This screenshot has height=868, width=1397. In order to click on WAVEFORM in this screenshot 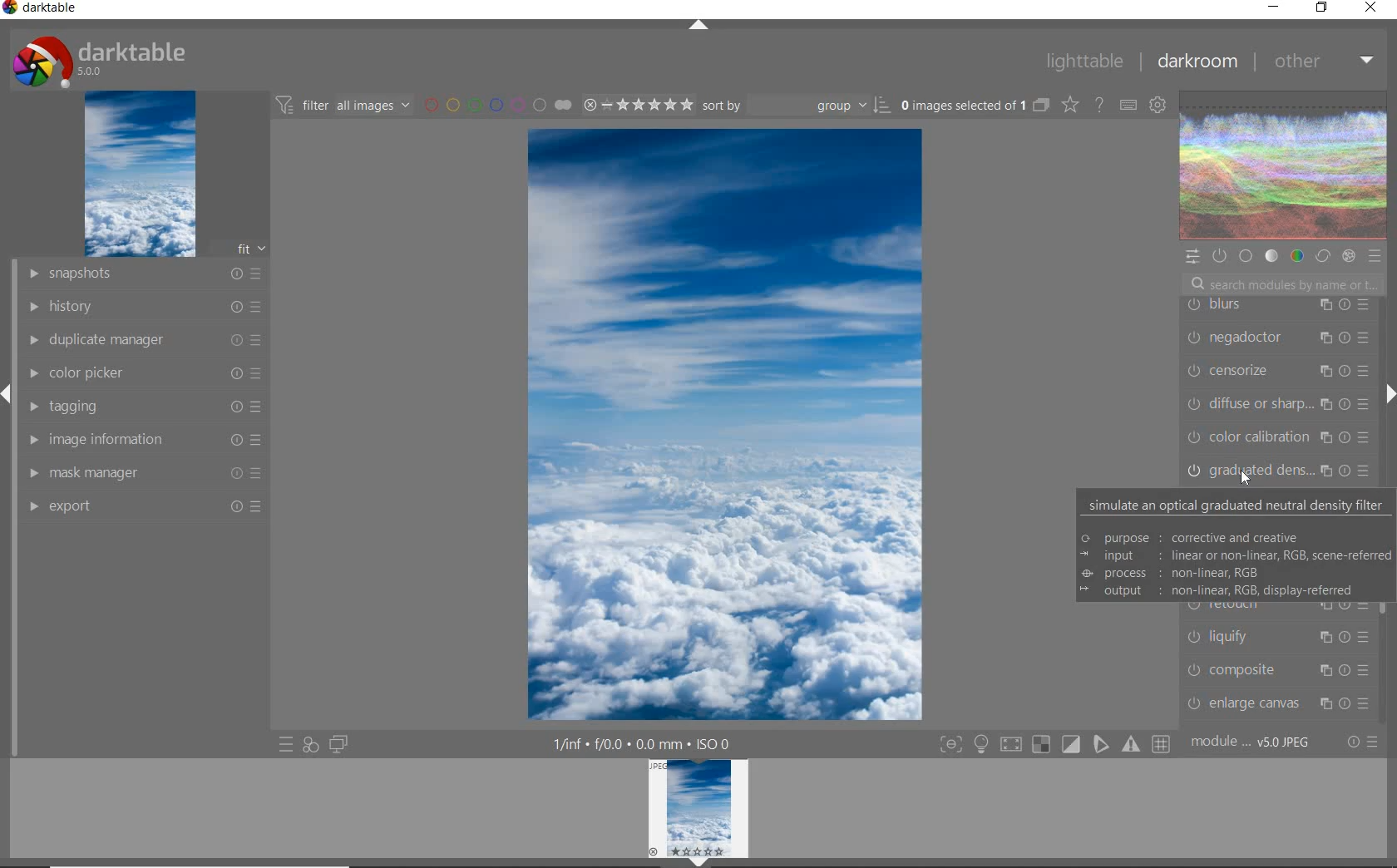, I will do `click(1284, 166)`.